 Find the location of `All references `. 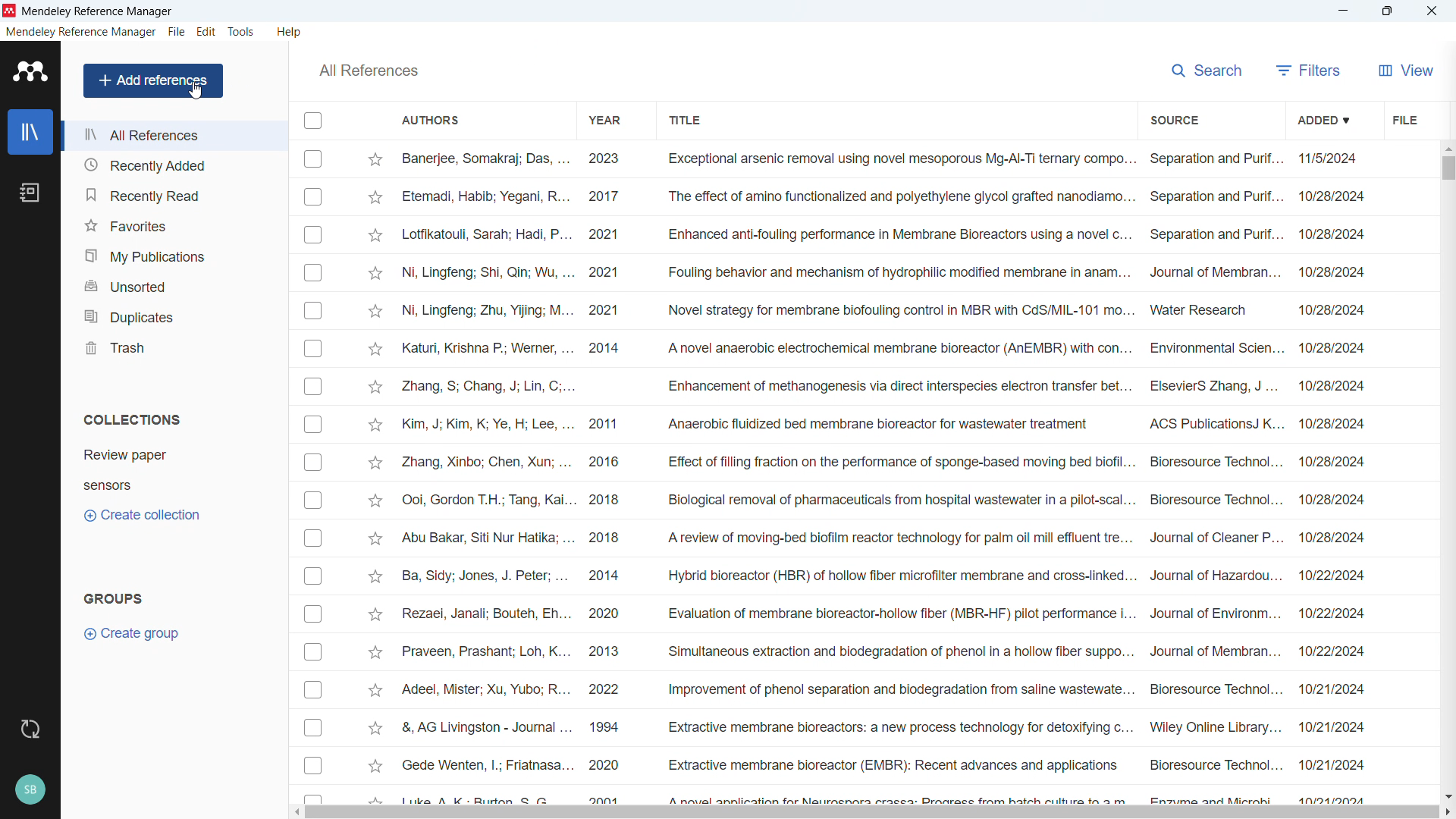

All references  is located at coordinates (174, 135).